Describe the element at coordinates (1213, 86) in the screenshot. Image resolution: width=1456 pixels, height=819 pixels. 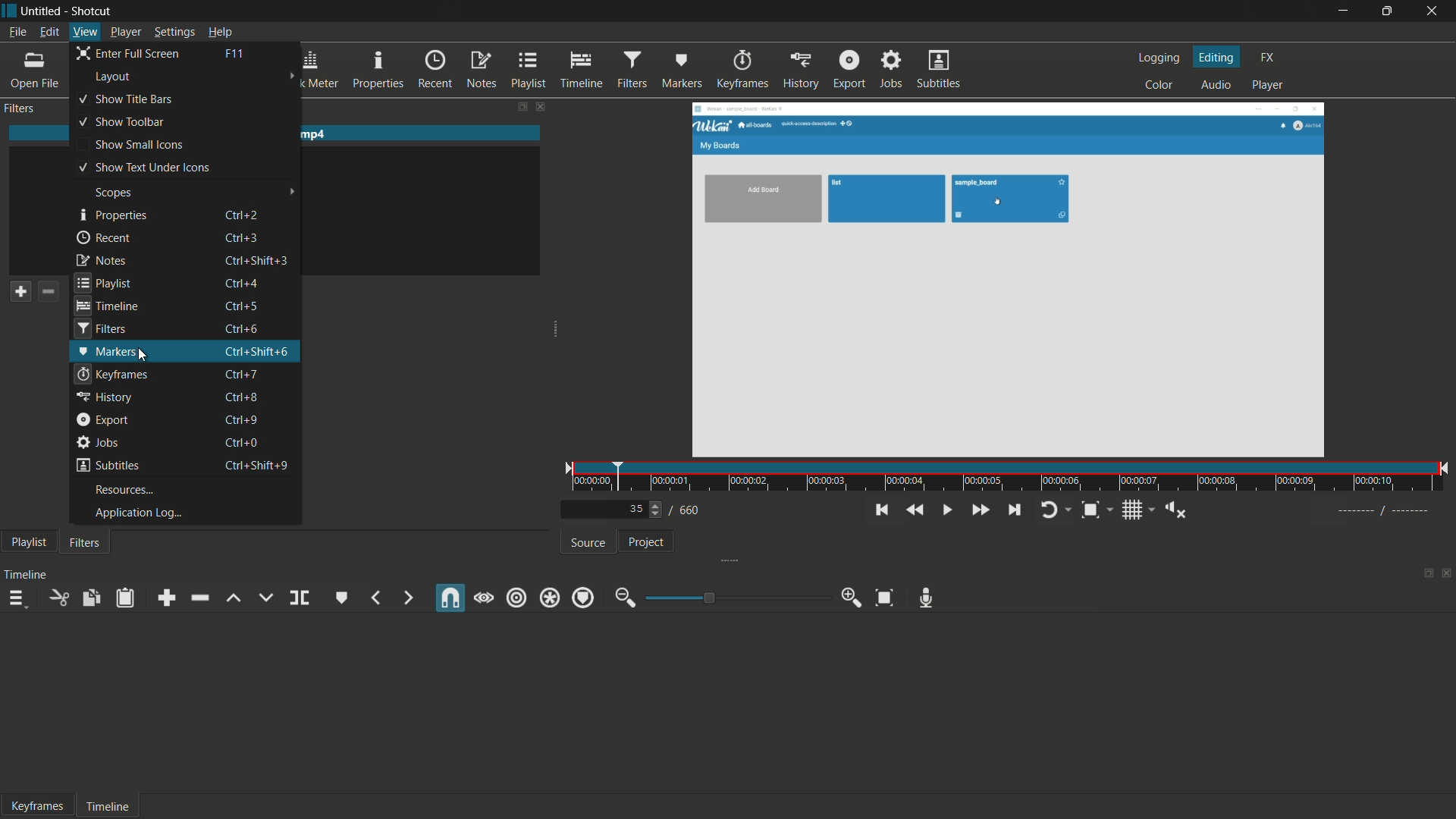
I see `audio` at that location.